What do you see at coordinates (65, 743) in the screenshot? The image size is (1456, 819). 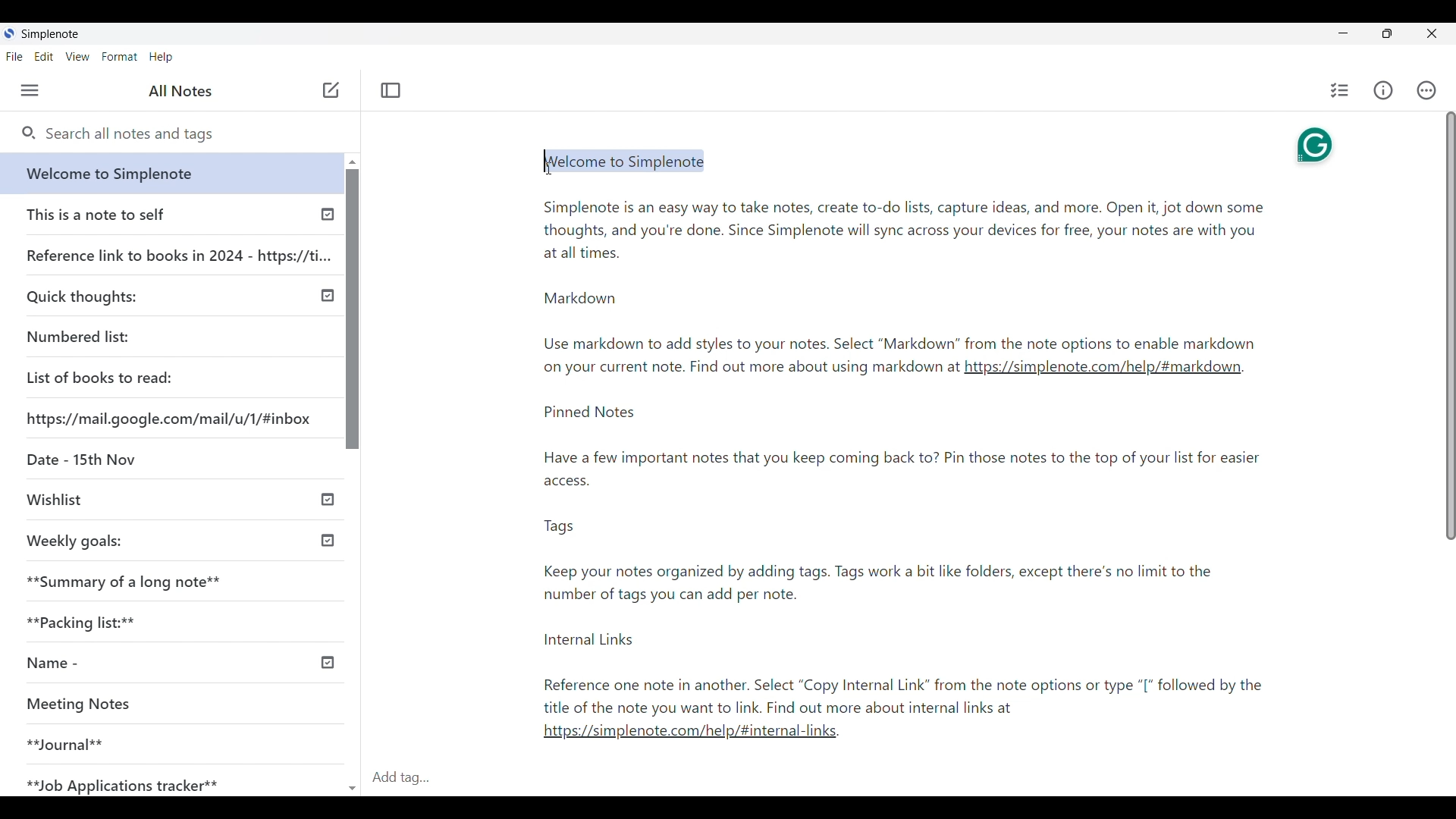 I see `Journal` at bounding box center [65, 743].